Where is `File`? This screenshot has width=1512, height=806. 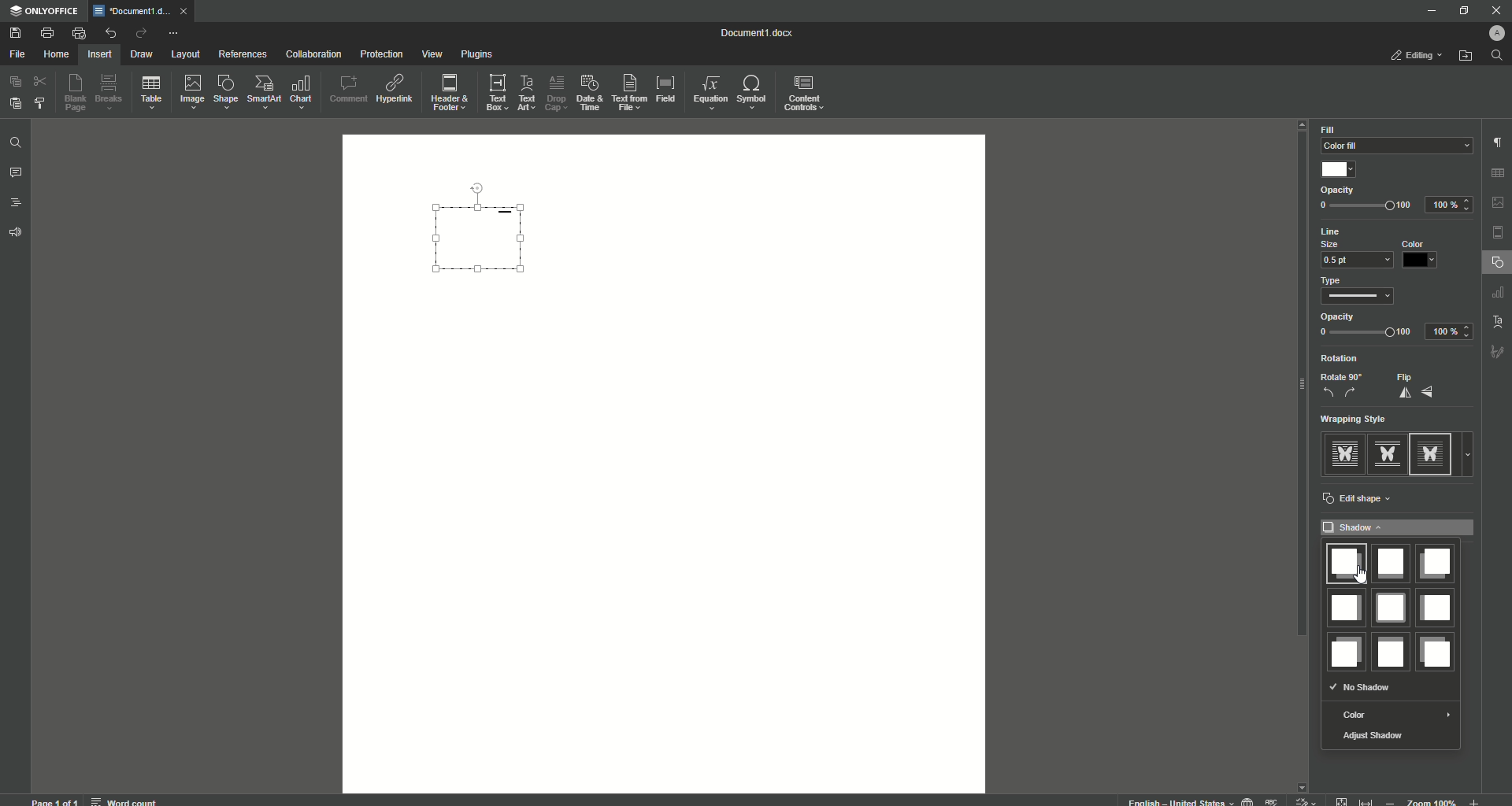 File is located at coordinates (17, 55).